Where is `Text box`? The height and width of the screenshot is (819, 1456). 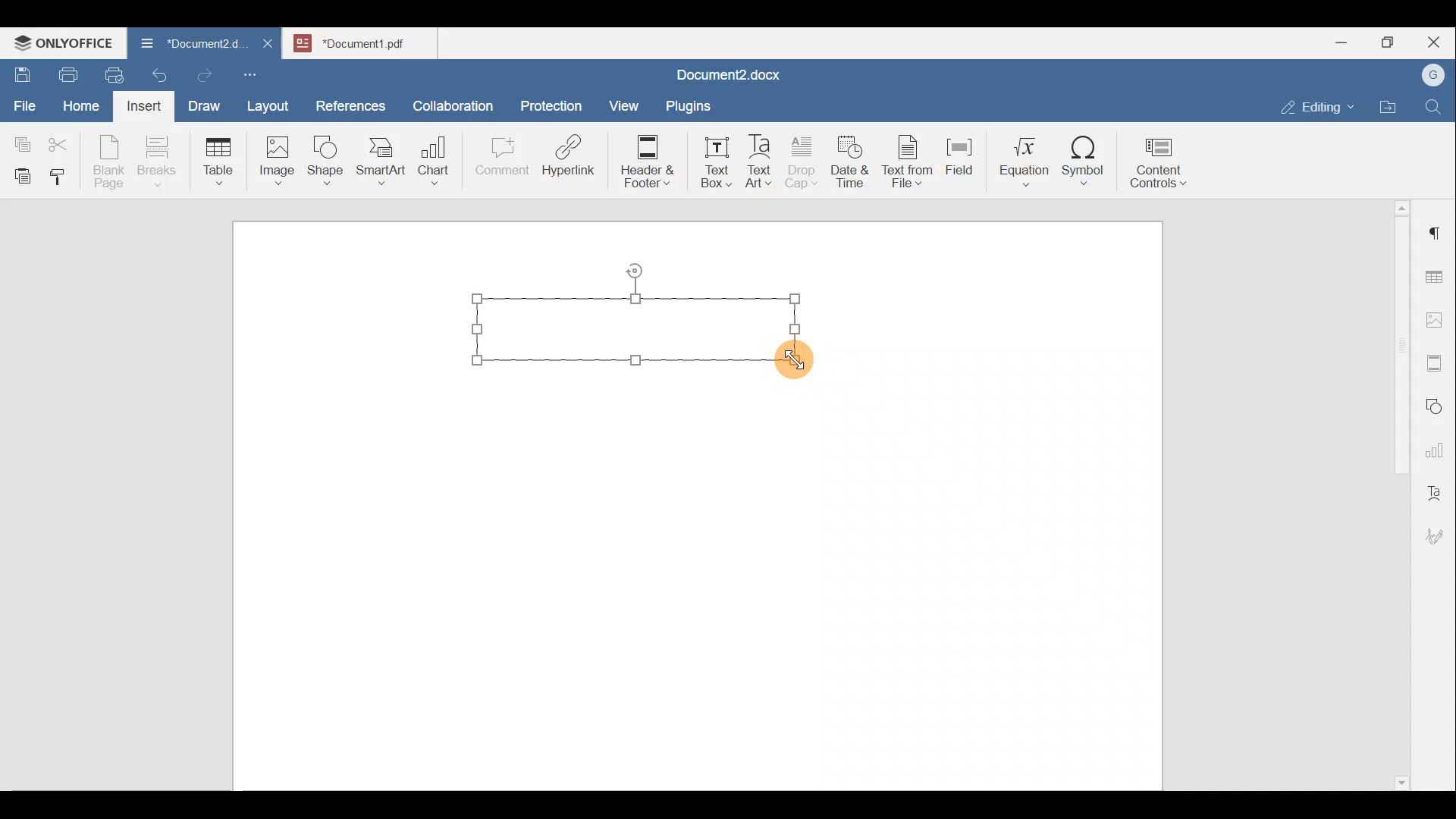
Text box is located at coordinates (706, 162).